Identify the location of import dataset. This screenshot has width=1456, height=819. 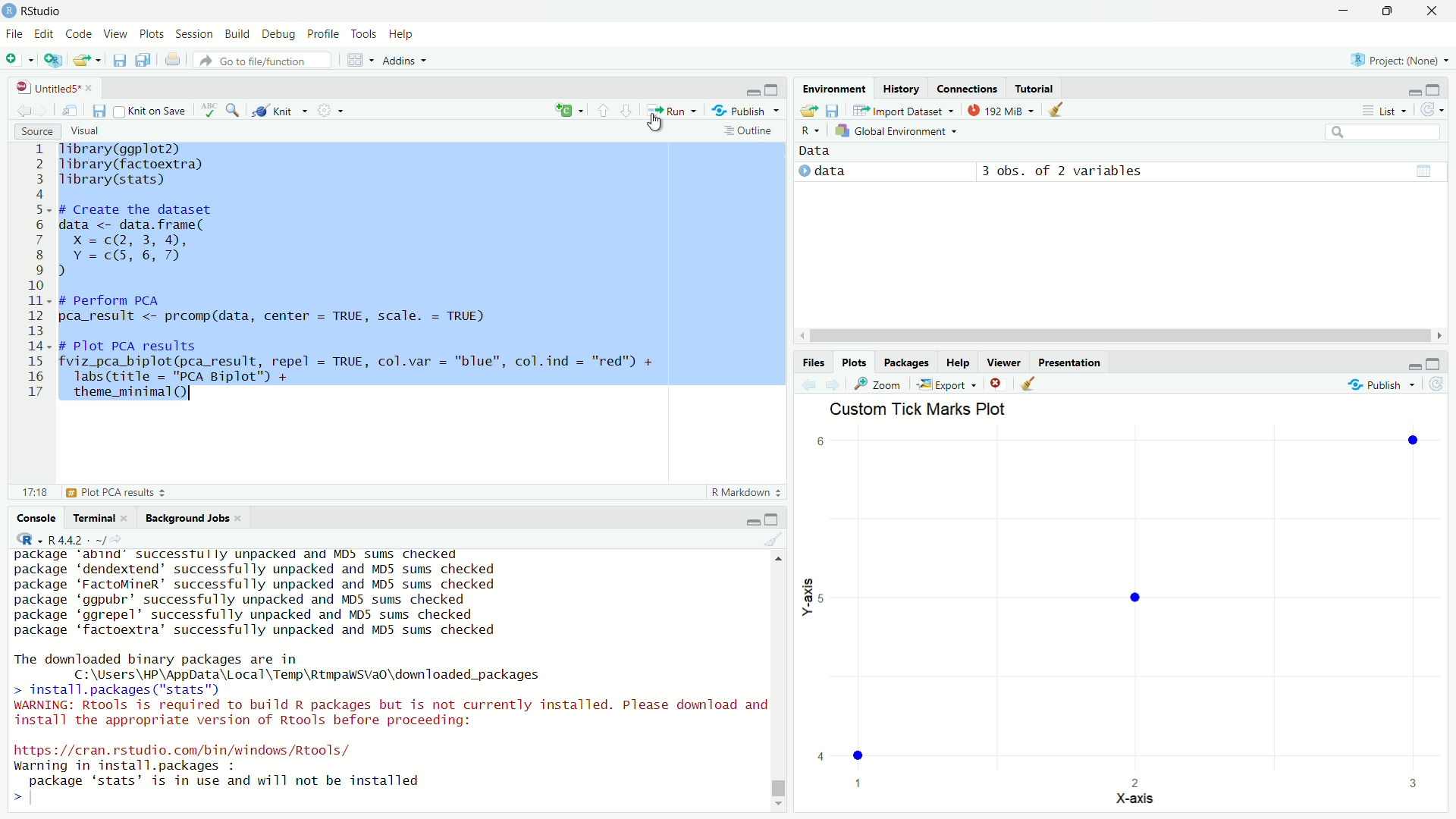
(902, 110).